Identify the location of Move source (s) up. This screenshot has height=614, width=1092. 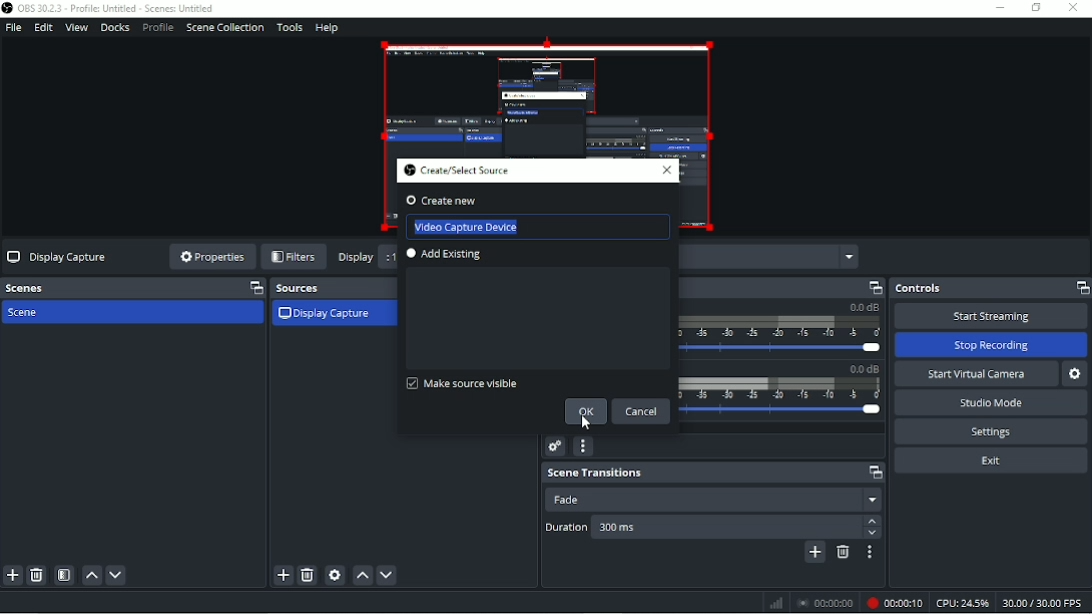
(363, 576).